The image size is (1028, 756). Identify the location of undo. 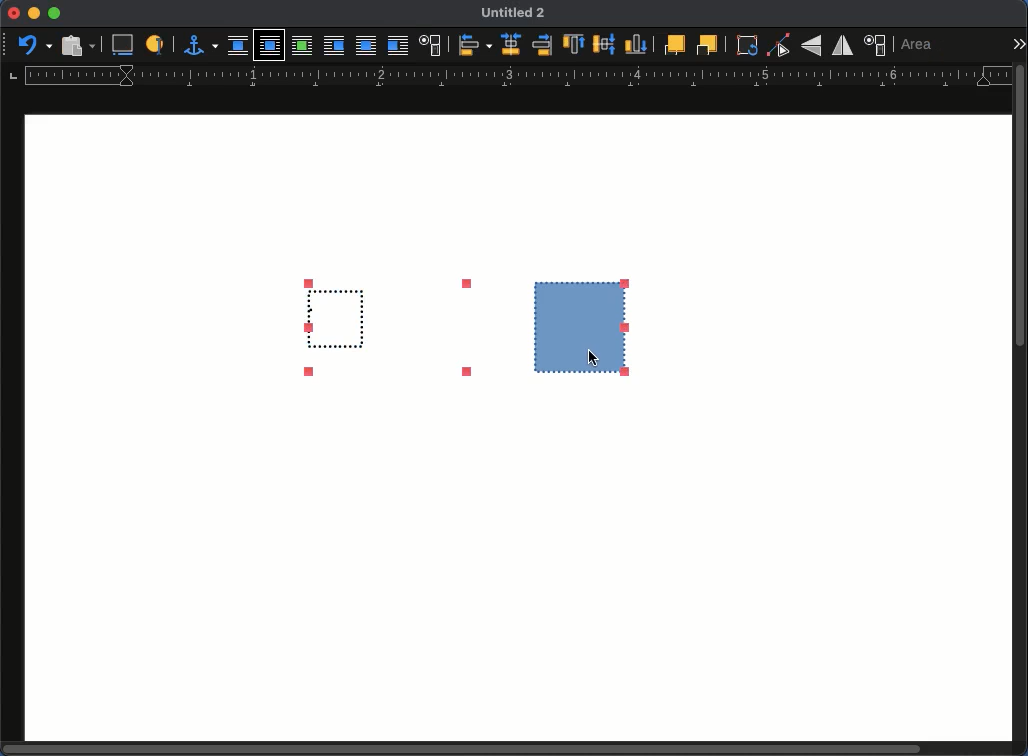
(35, 45).